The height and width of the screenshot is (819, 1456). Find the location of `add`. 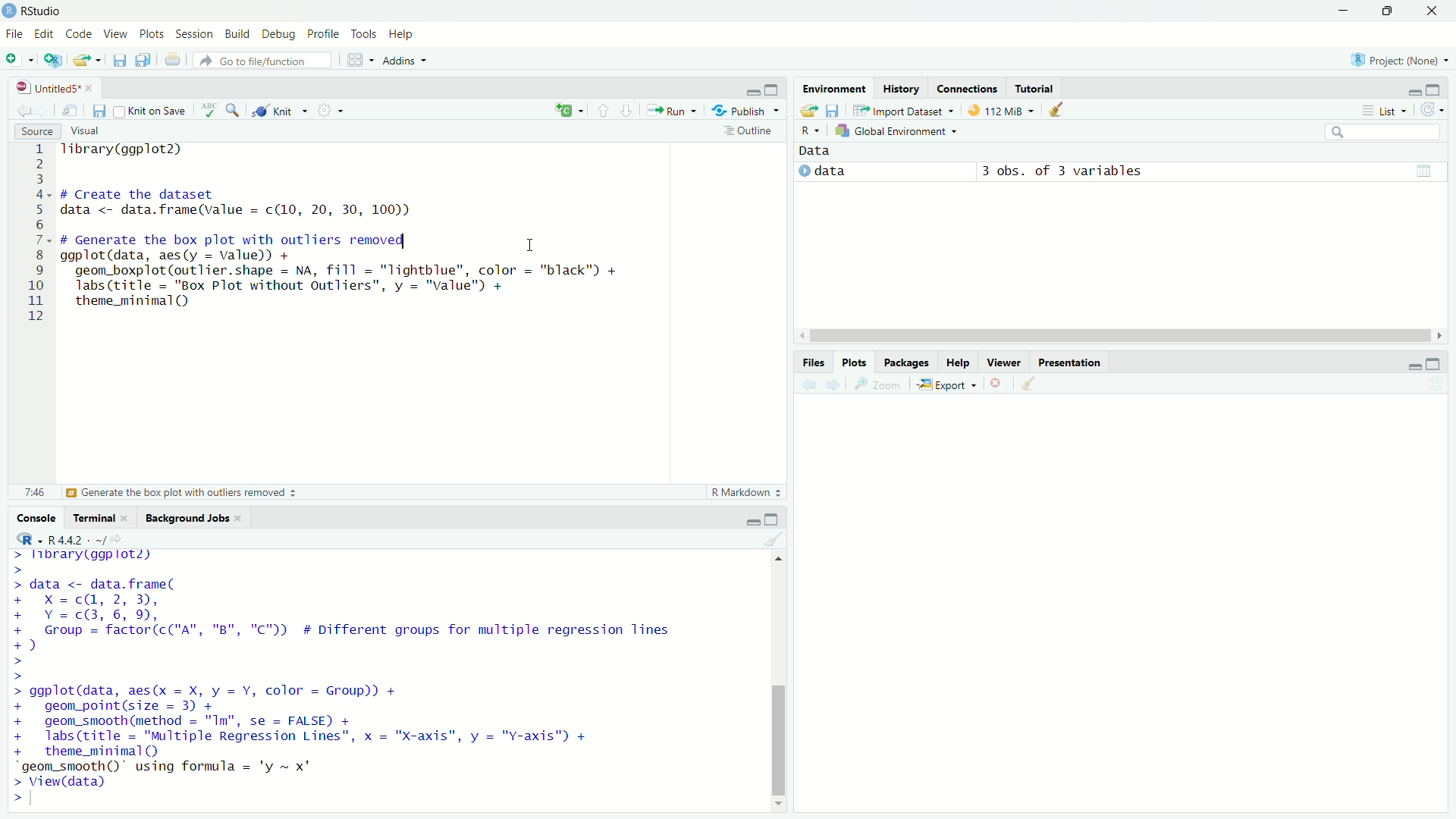

add is located at coordinates (557, 111).